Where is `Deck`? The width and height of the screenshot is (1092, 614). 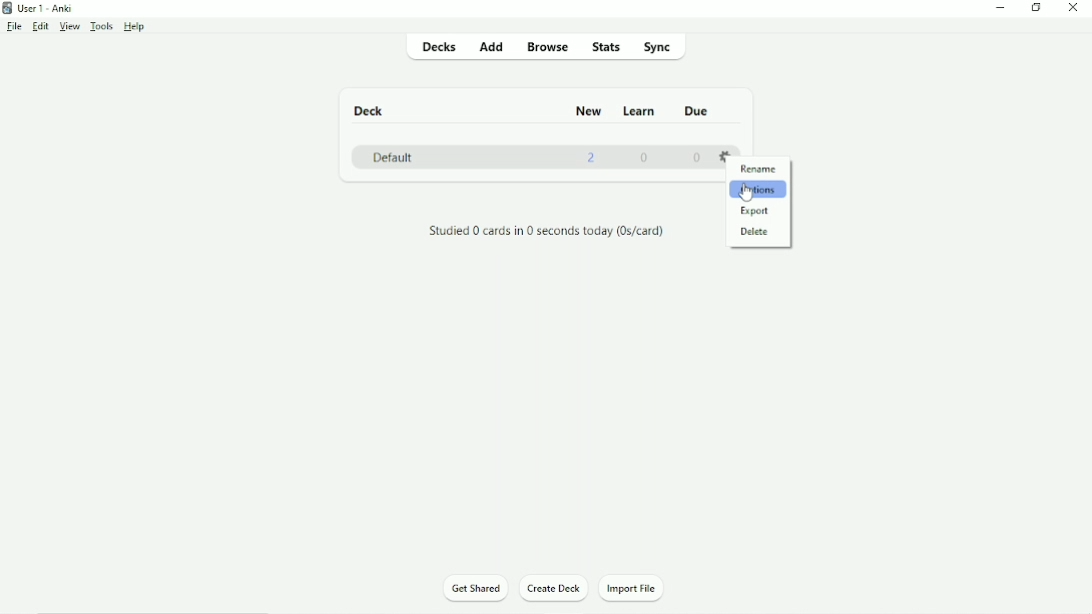
Deck is located at coordinates (372, 111).